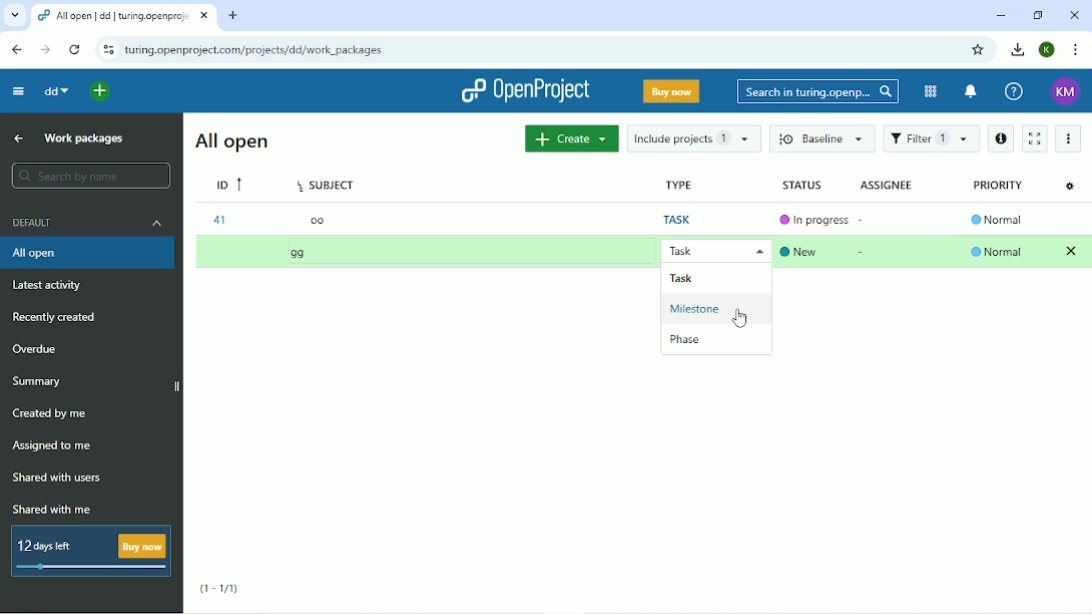  I want to click on Minimize, so click(1001, 15).